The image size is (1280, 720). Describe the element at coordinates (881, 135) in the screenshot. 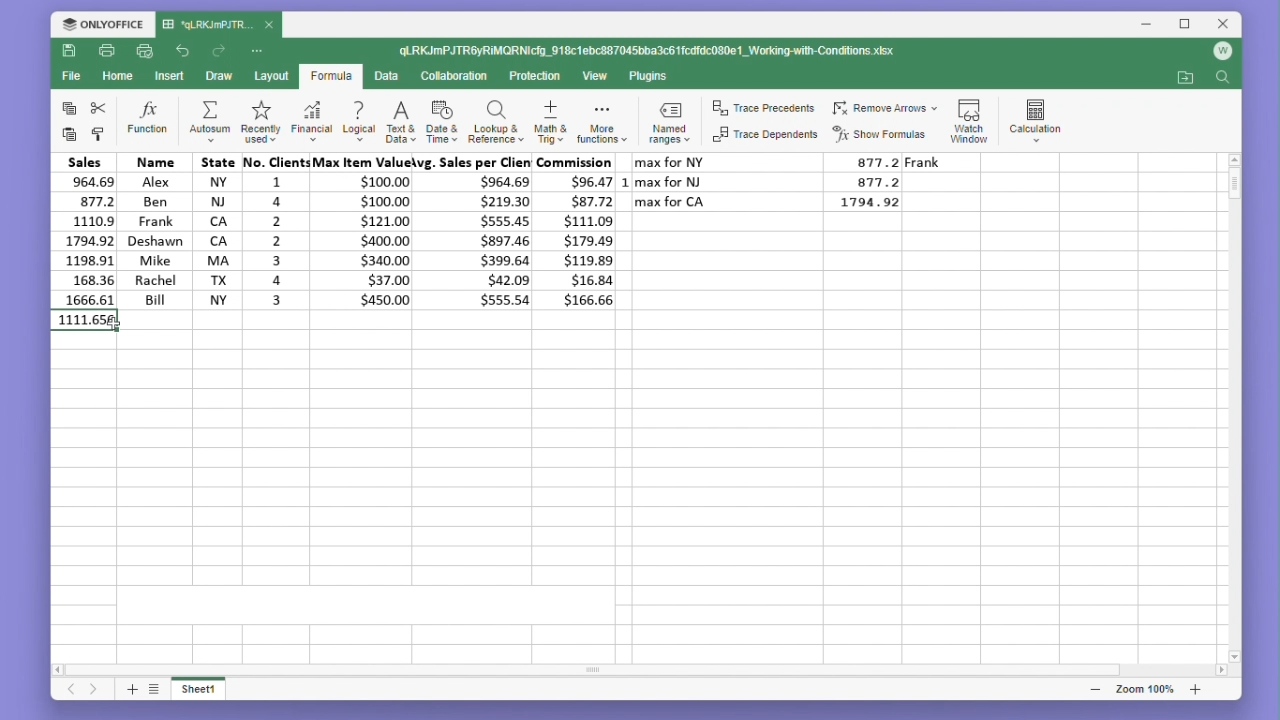

I see `Show formulas` at that location.